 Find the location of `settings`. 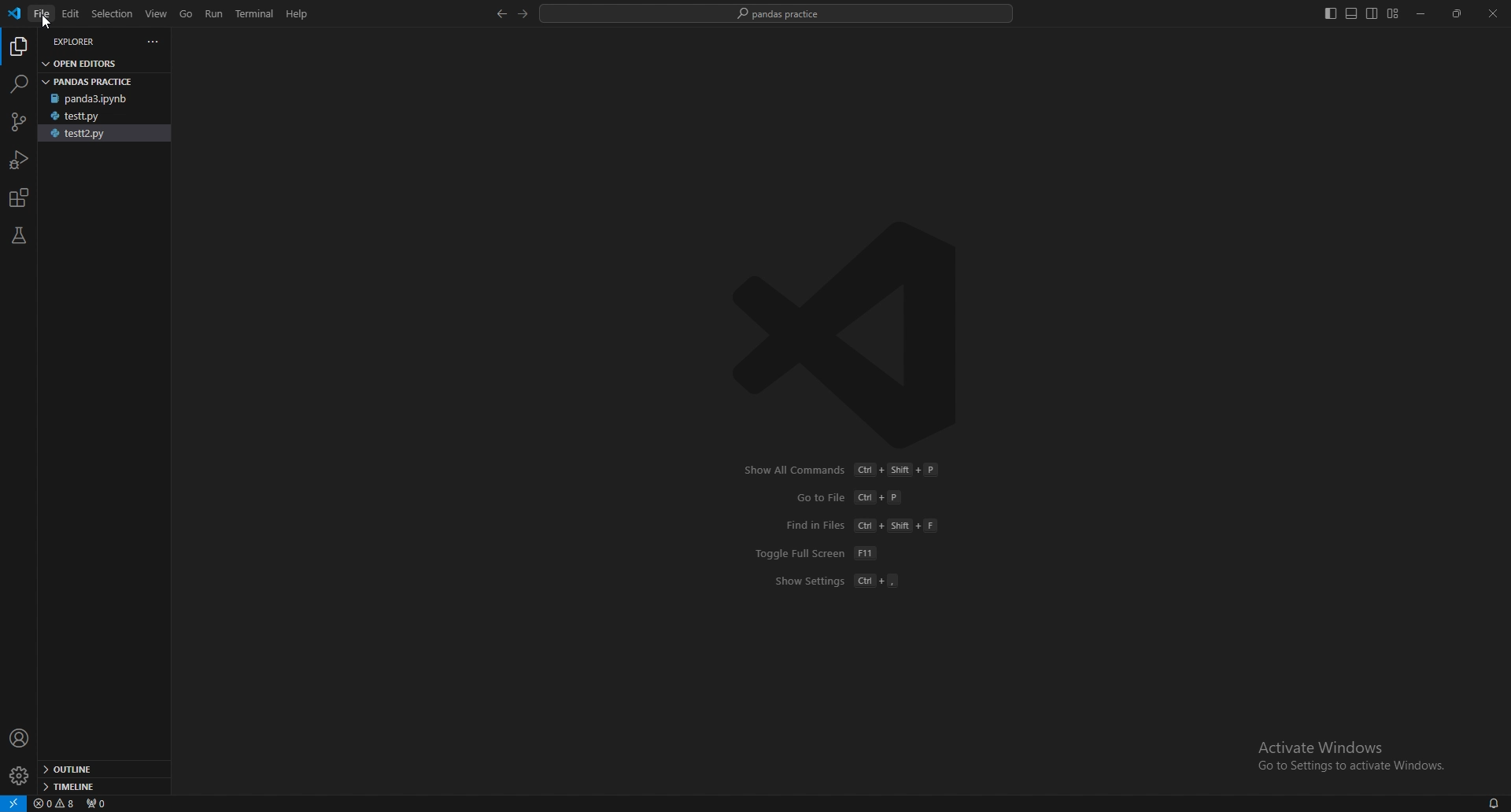

settings is located at coordinates (20, 776).